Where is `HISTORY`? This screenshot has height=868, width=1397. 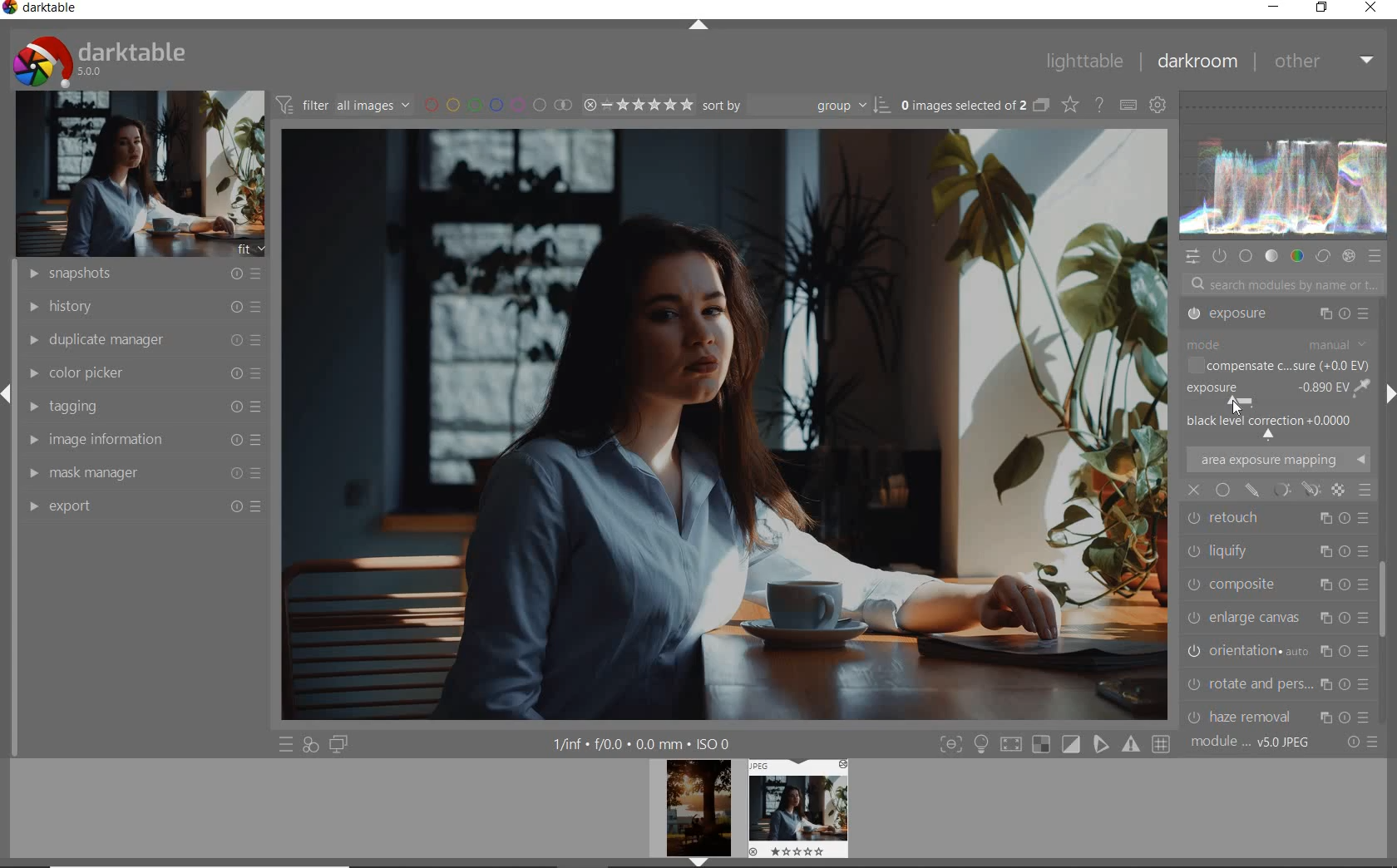
HISTORY is located at coordinates (141, 308).